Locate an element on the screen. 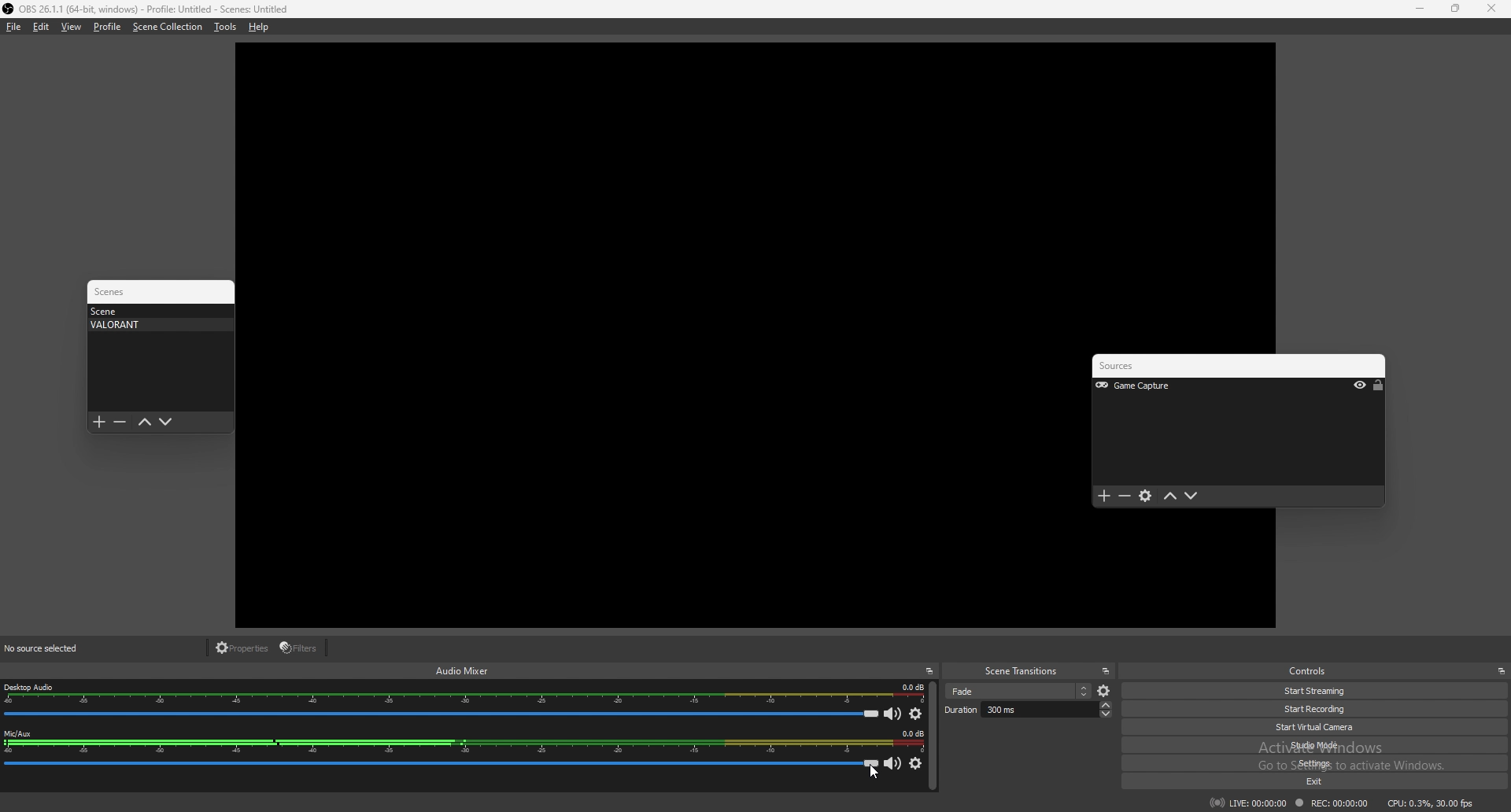 The width and height of the screenshot is (1511, 812). scene collection is located at coordinates (168, 27).